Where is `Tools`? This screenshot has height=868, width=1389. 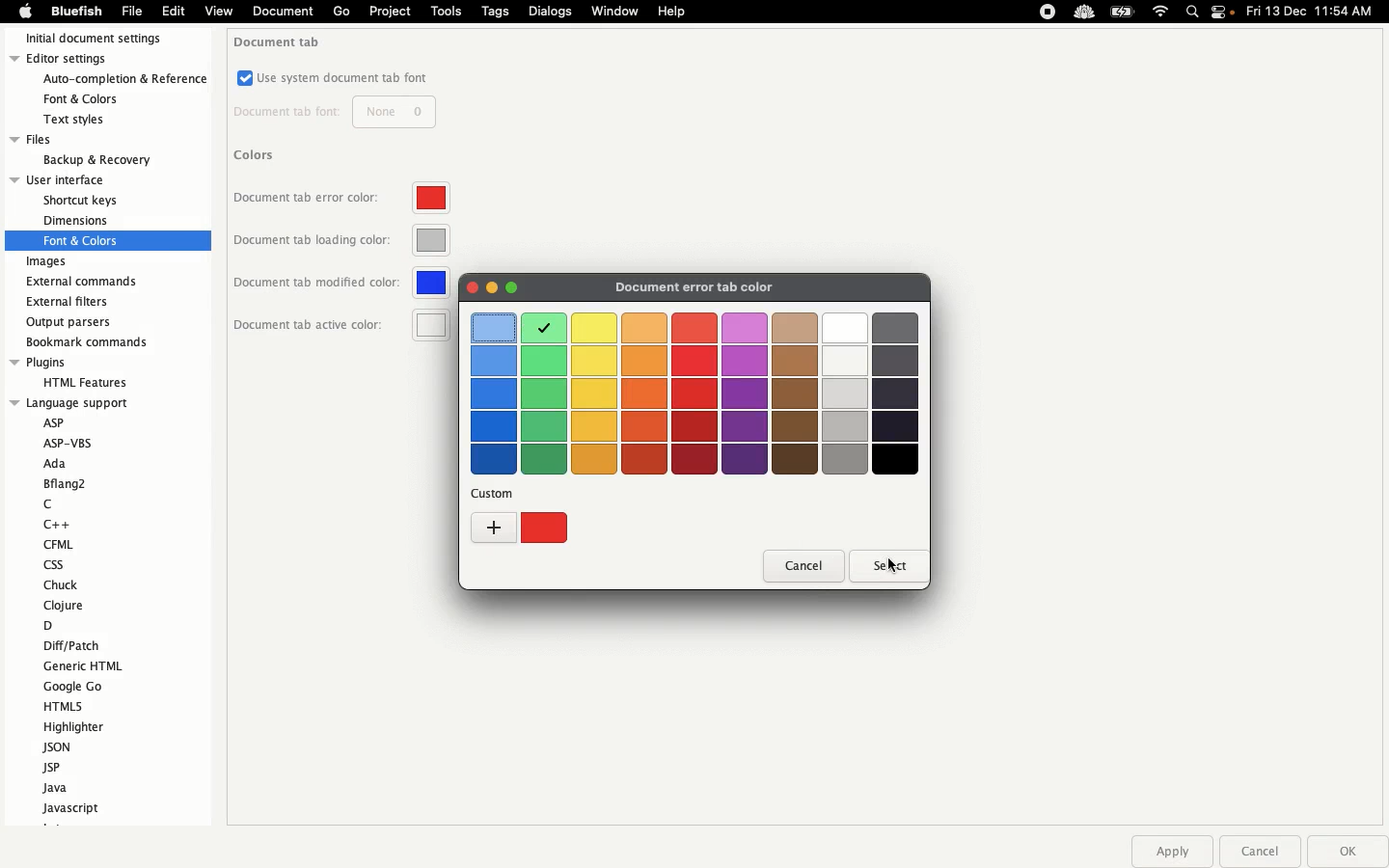
Tools is located at coordinates (447, 11).